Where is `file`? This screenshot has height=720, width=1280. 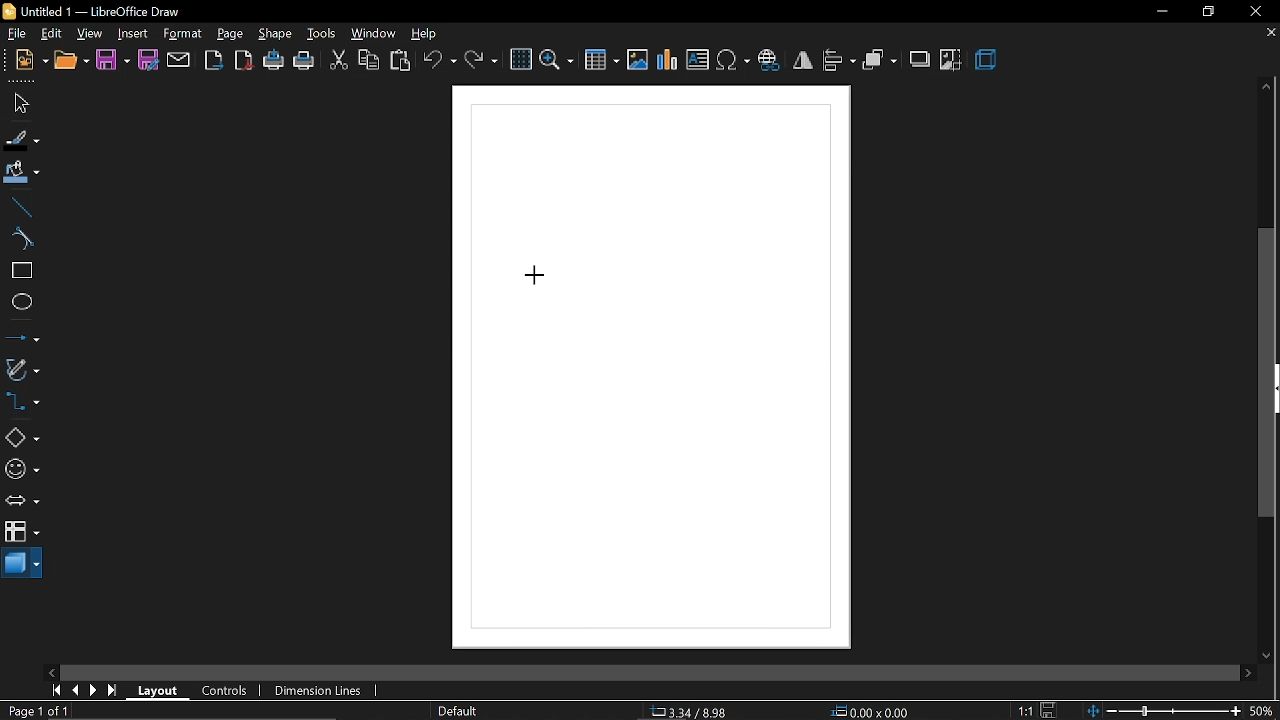 file is located at coordinates (16, 34).